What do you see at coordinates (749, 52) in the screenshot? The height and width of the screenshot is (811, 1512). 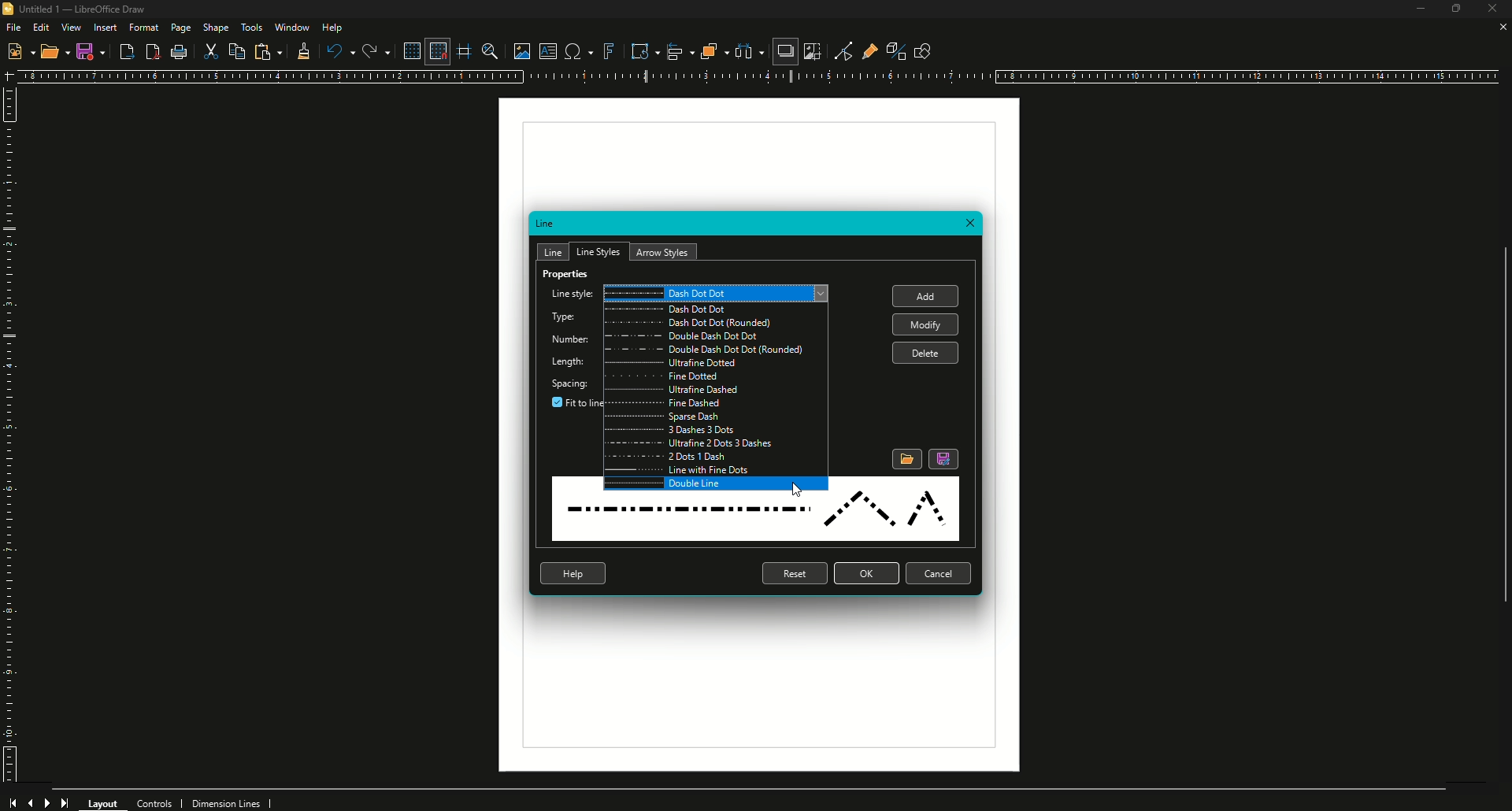 I see `Select three objects` at bounding box center [749, 52].